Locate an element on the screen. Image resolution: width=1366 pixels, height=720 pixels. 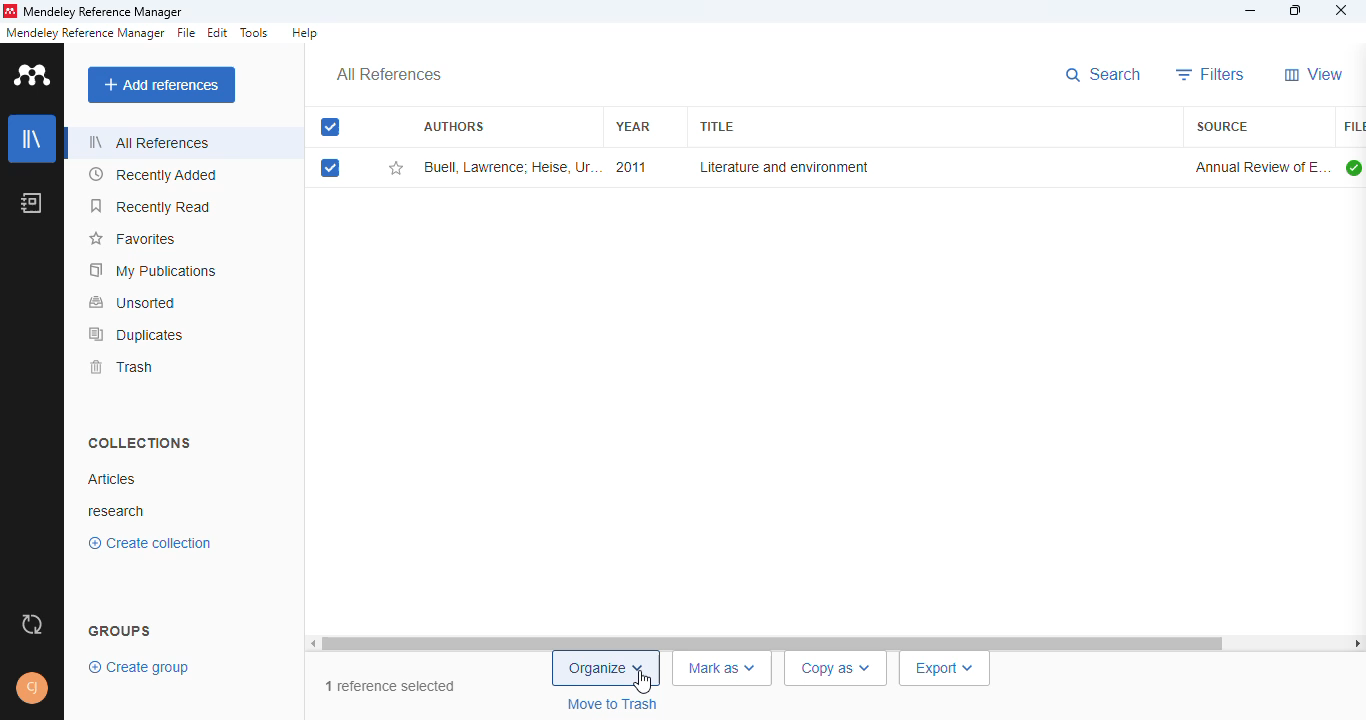
literature and environment is located at coordinates (782, 167).